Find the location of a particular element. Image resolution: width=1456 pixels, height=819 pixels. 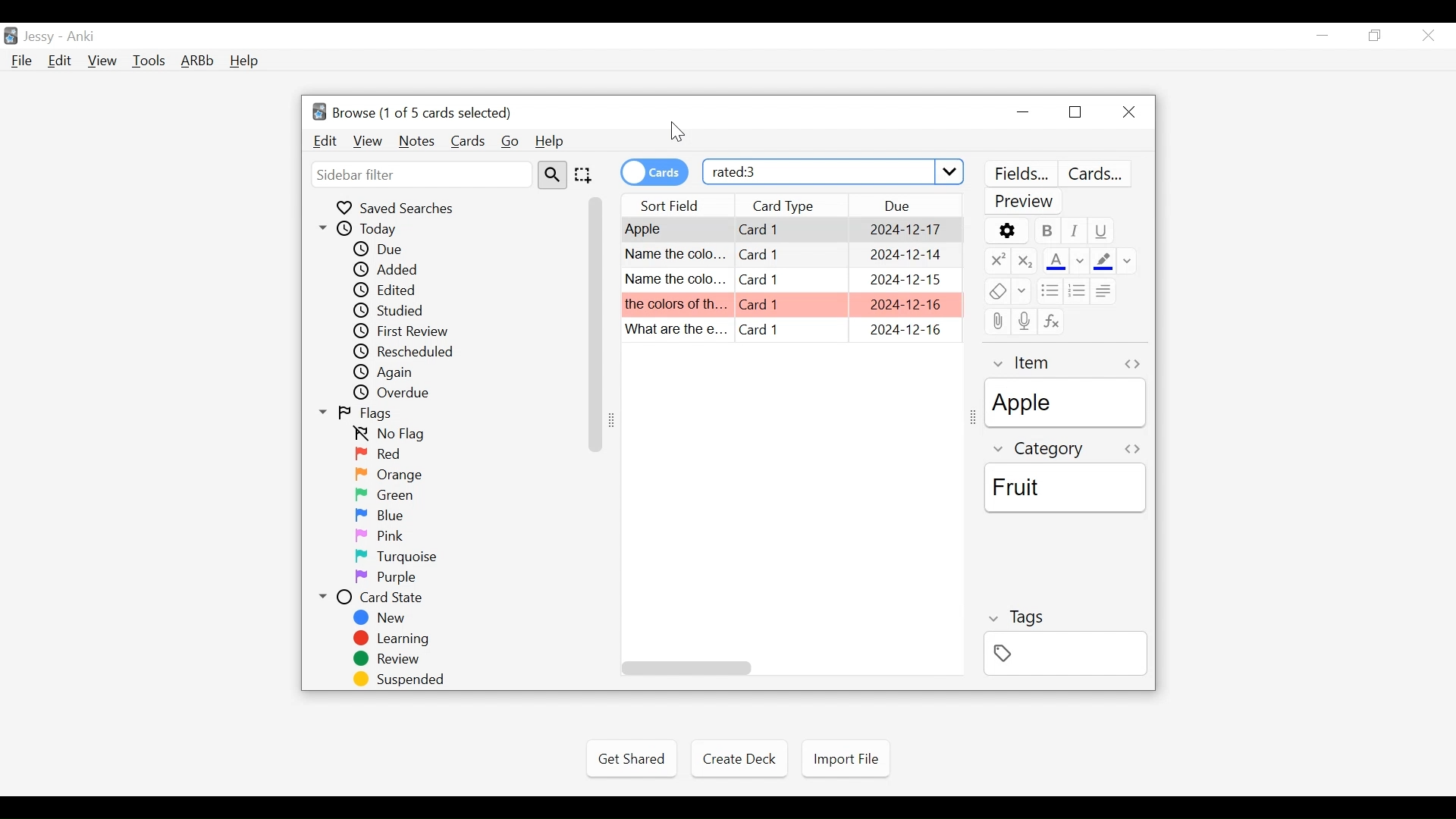

Customize Card Template is located at coordinates (1097, 174).